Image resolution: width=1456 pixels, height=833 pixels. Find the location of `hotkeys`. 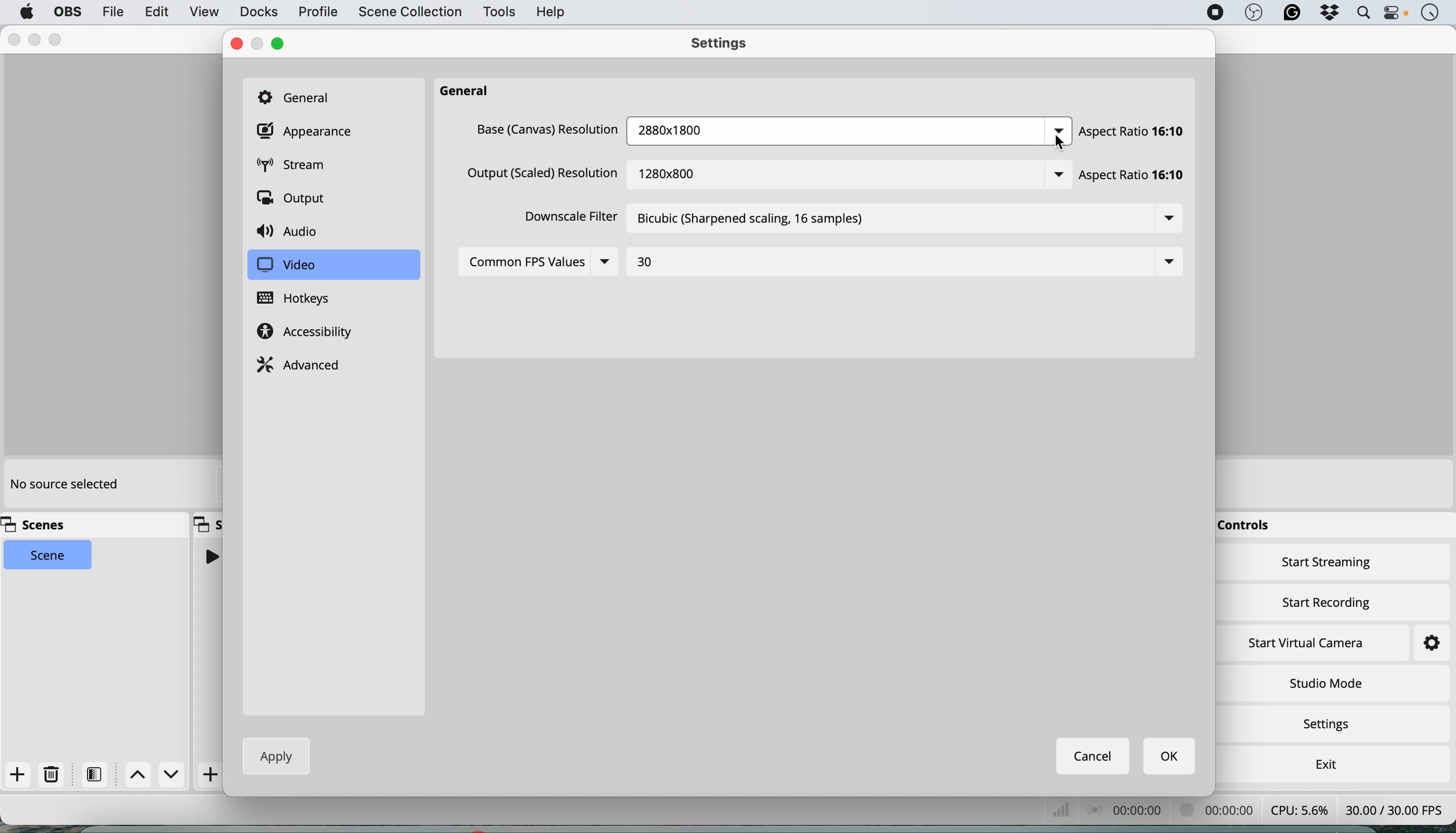

hotkeys is located at coordinates (303, 299).